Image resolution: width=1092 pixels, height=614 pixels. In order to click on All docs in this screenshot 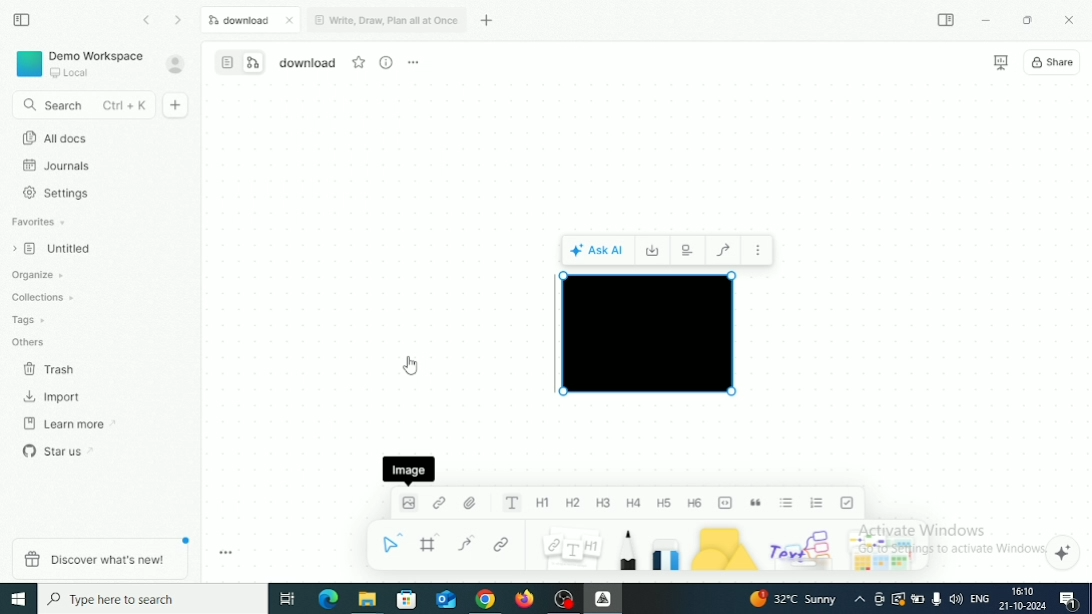, I will do `click(53, 139)`.